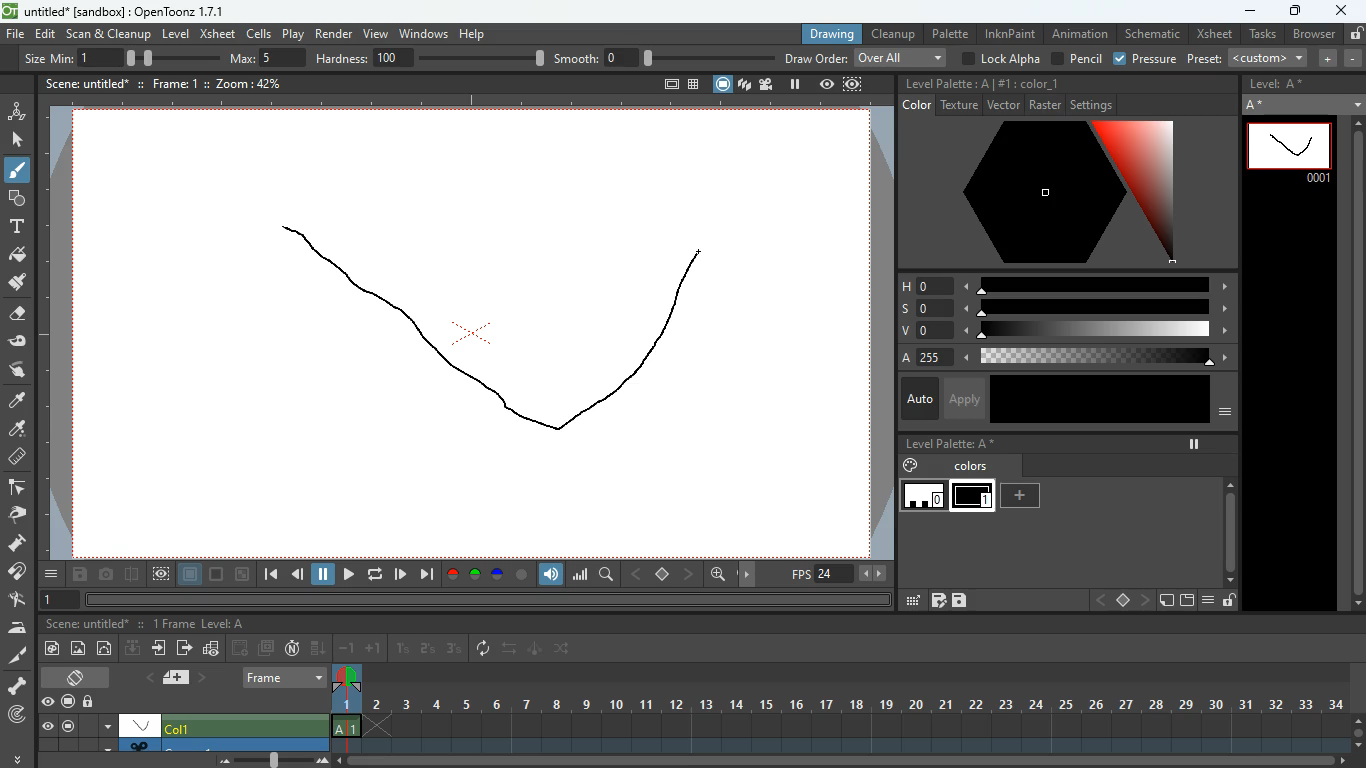 The width and height of the screenshot is (1366, 768). I want to click on play, so click(348, 576).